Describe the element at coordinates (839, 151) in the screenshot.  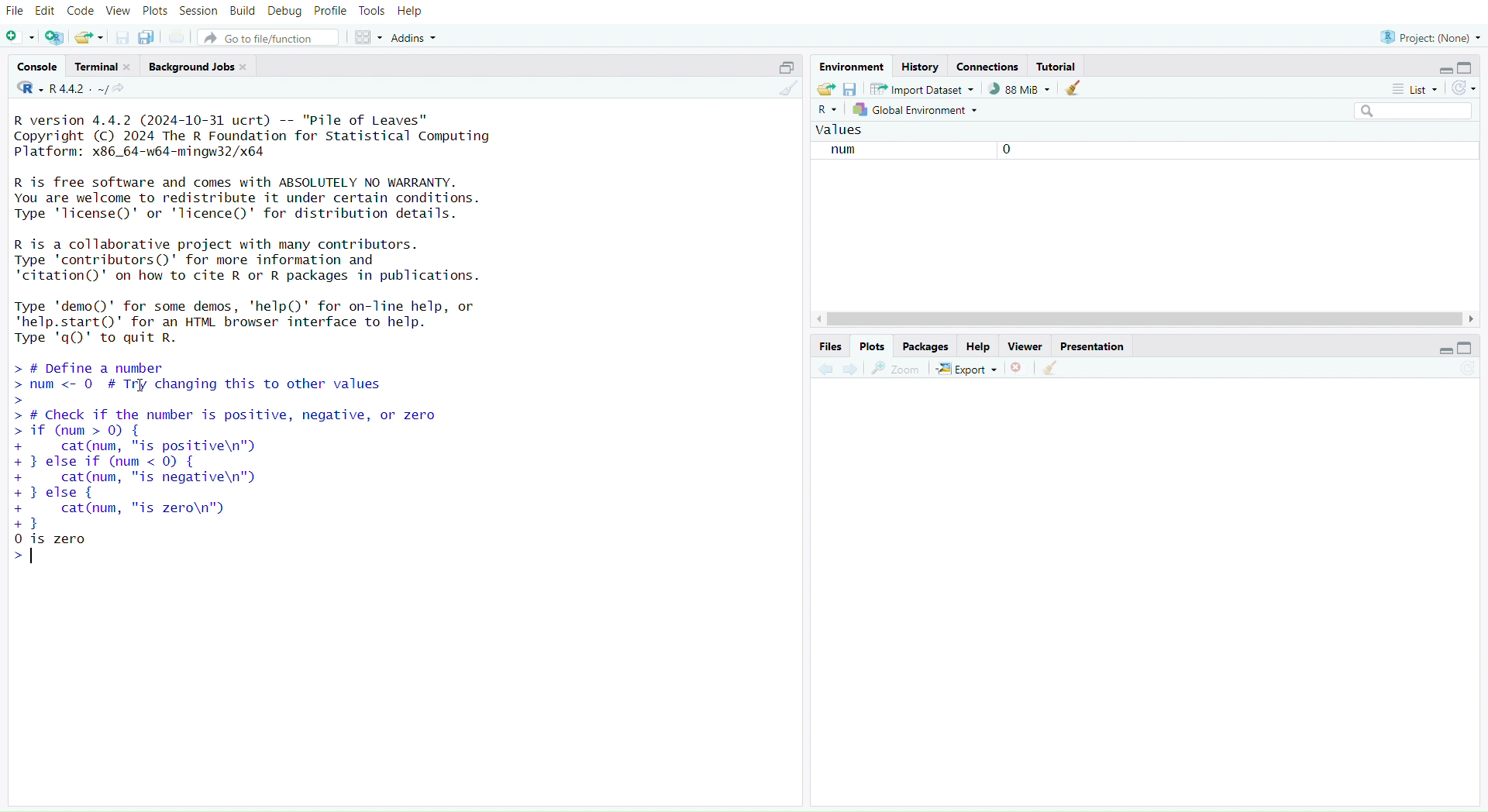
I see `num` at that location.